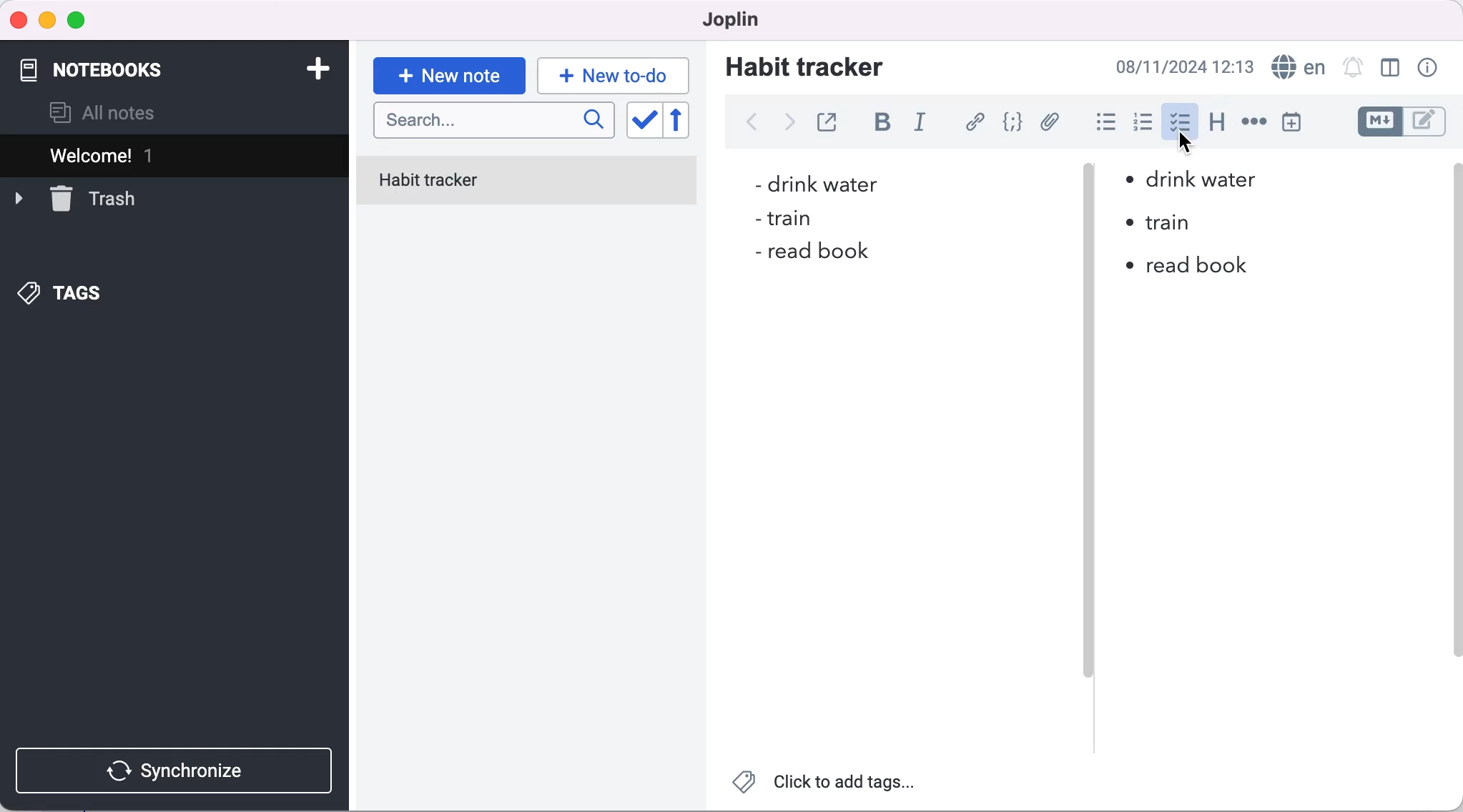  I want to click on all notes, so click(103, 113).